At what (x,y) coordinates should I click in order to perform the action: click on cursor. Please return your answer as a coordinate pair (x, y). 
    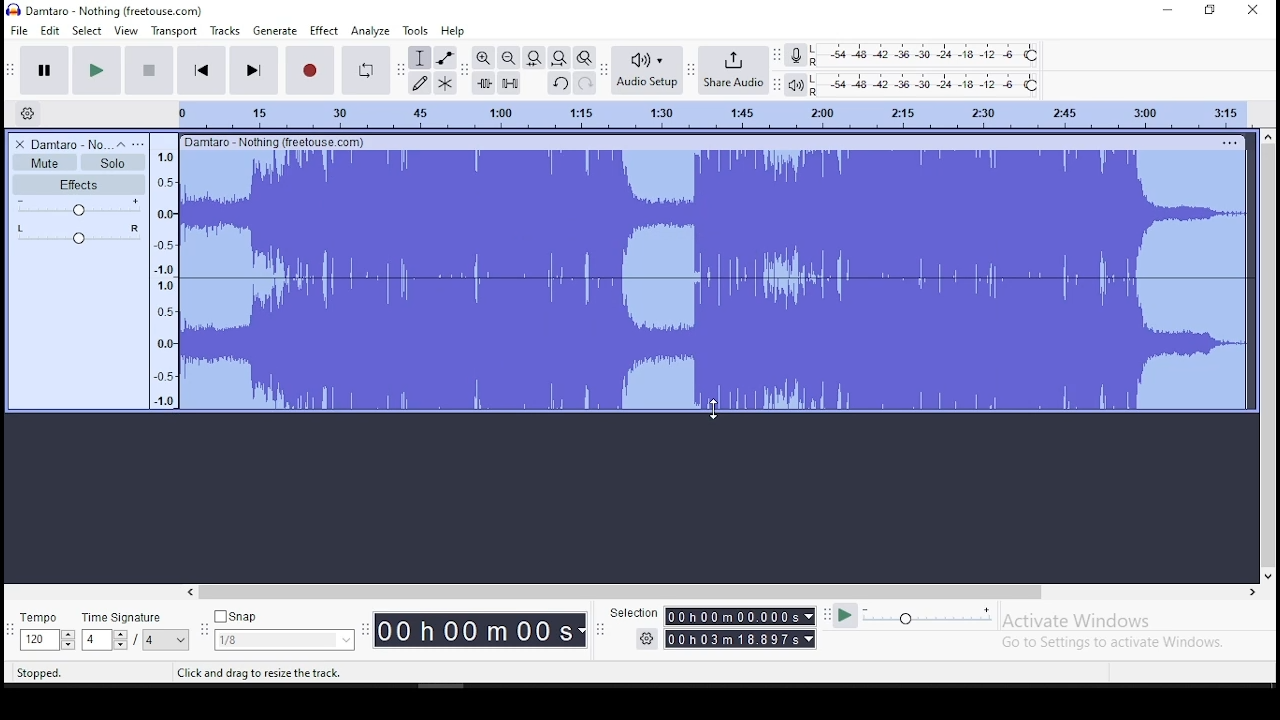
    Looking at the image, I should click on (712, 410).